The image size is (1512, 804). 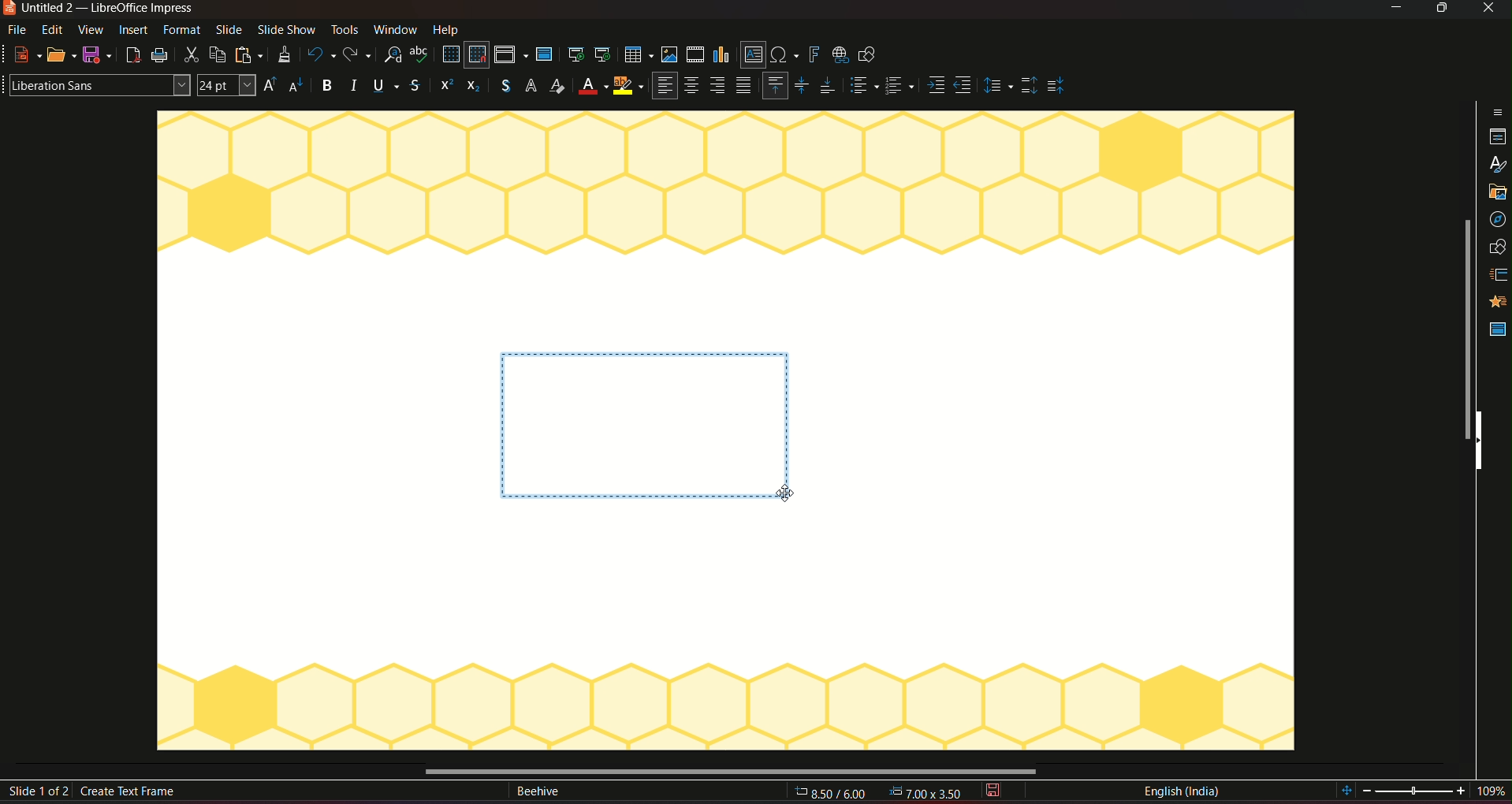 I want to click on display views, so click(x=511, y=55).